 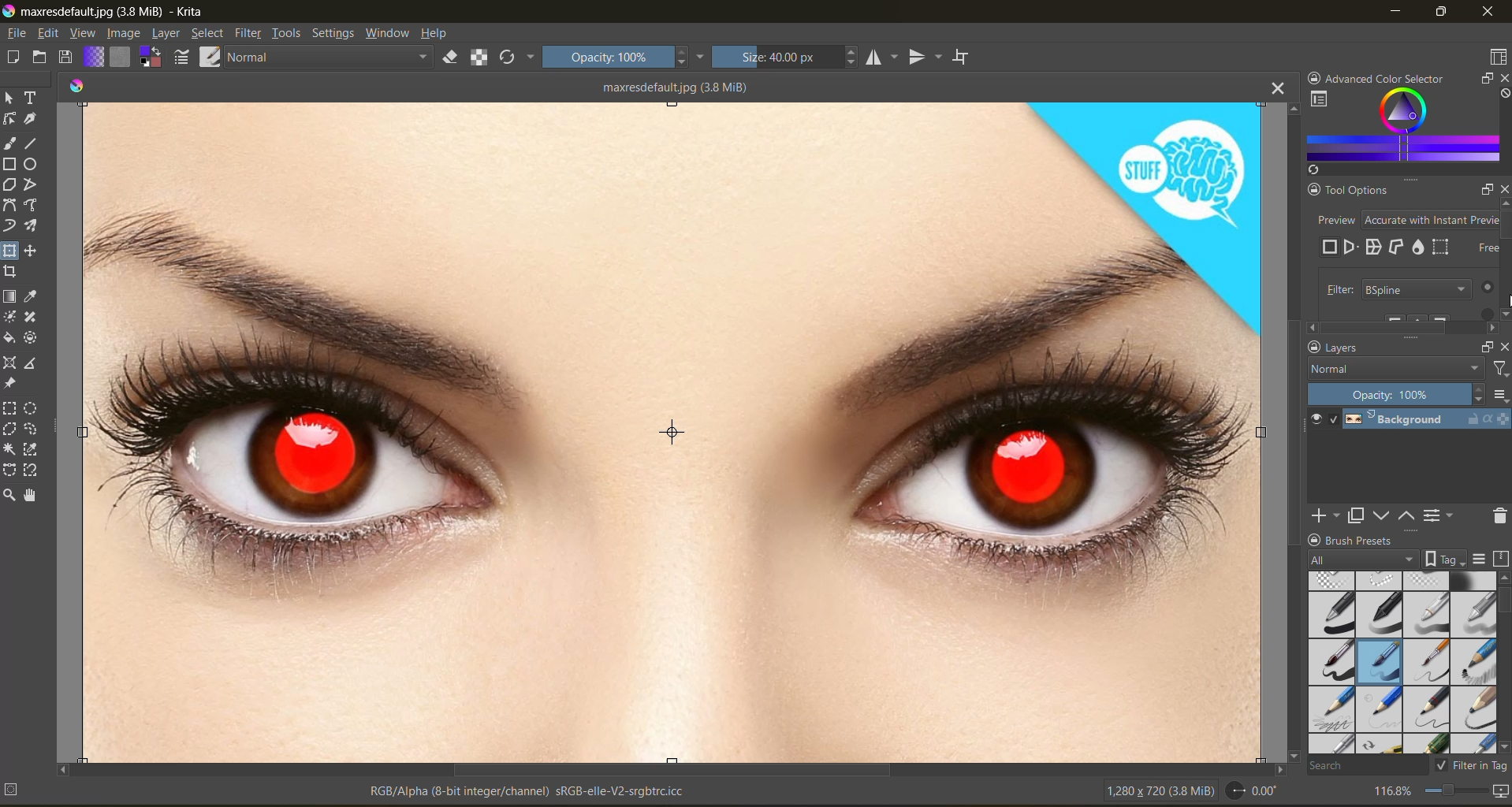 What do you see at coordinates (1429, 221) in the screenshot?
I see `accurate with instant preview` at bounding box center [1429, 221].